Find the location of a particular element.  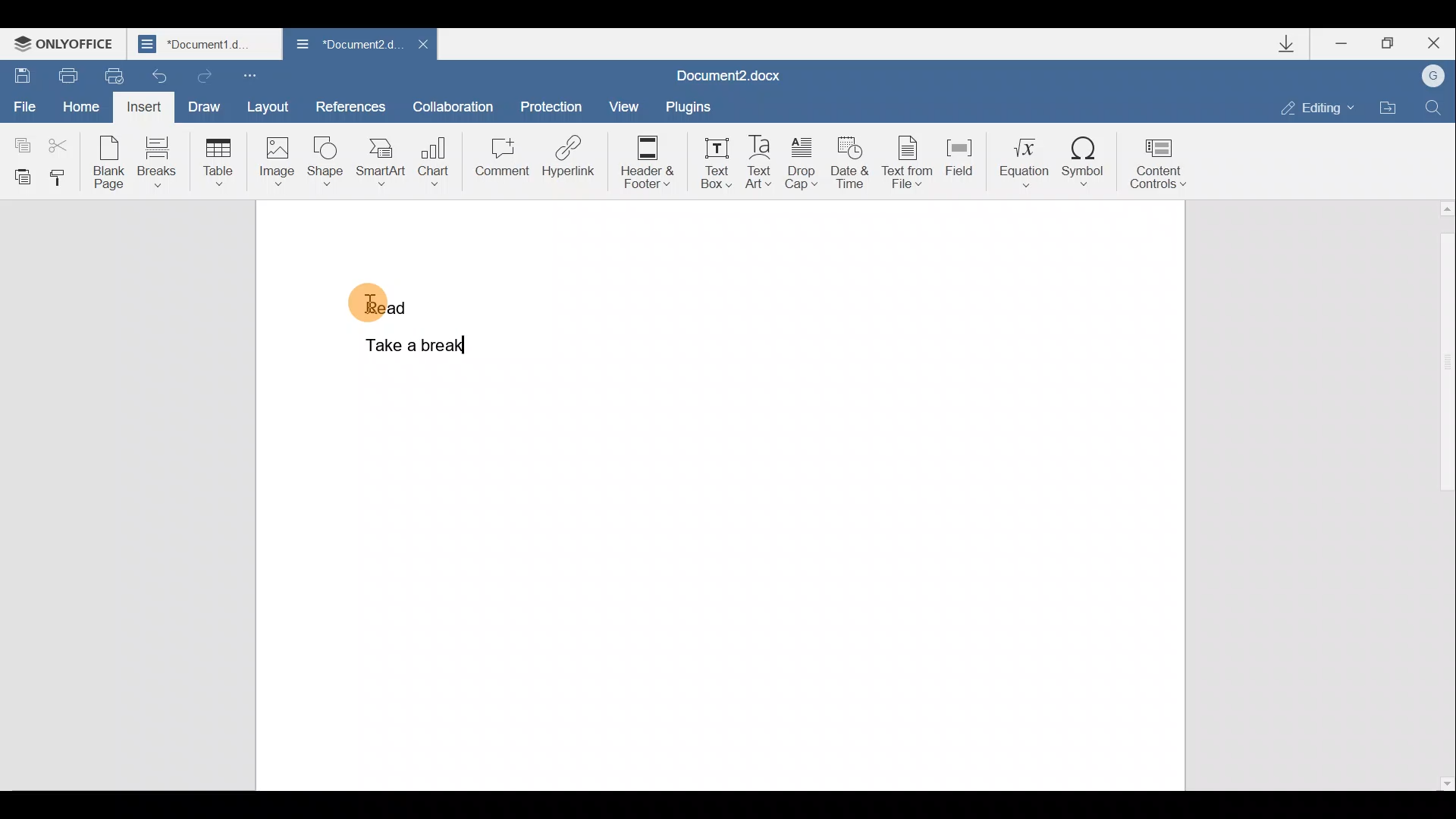

Redo is located at coordinates (204, 75).